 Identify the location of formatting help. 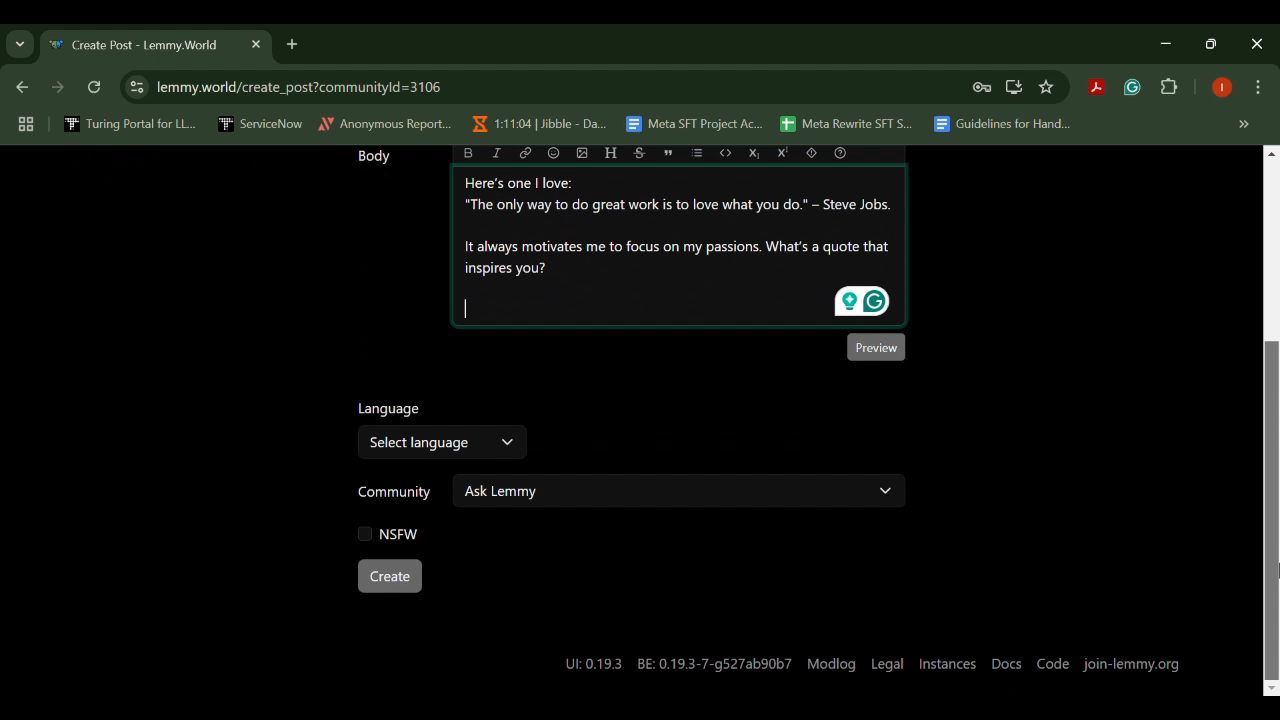
(839, 153).